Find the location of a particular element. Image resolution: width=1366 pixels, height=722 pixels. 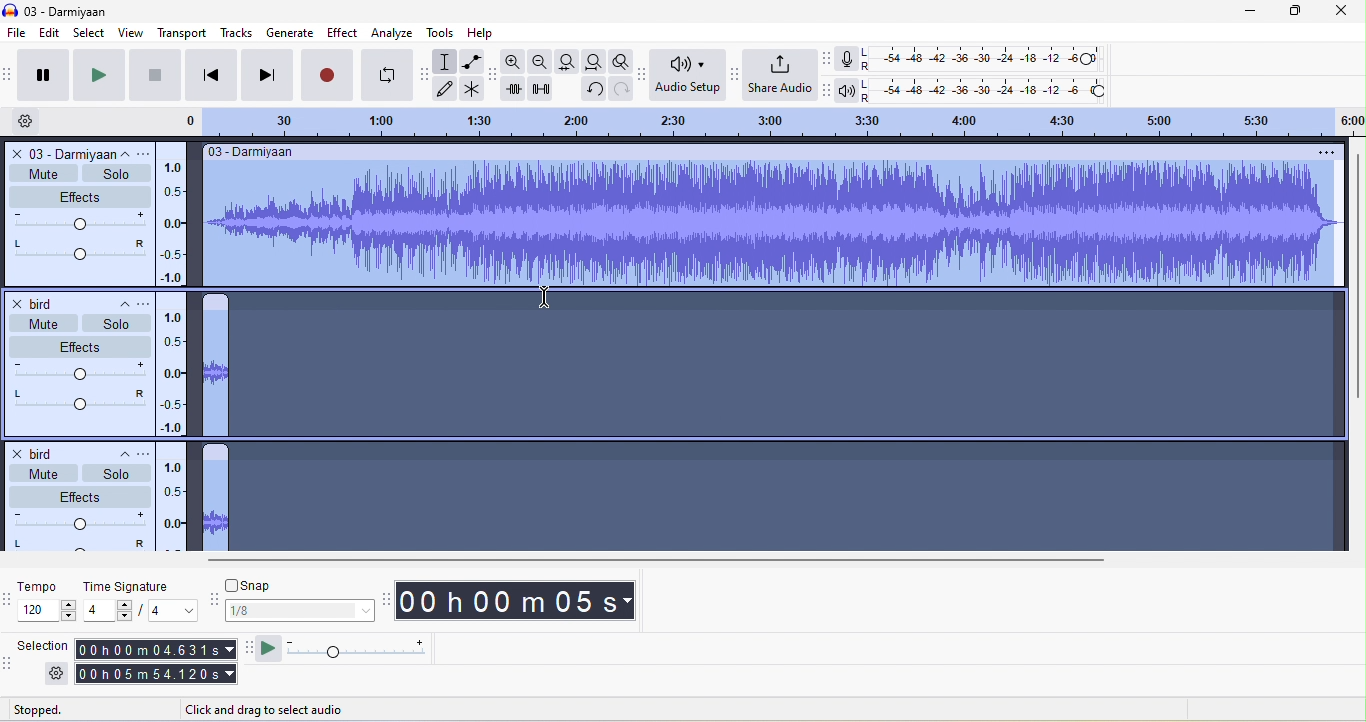

minimize is located at coordinates (1238, 11).